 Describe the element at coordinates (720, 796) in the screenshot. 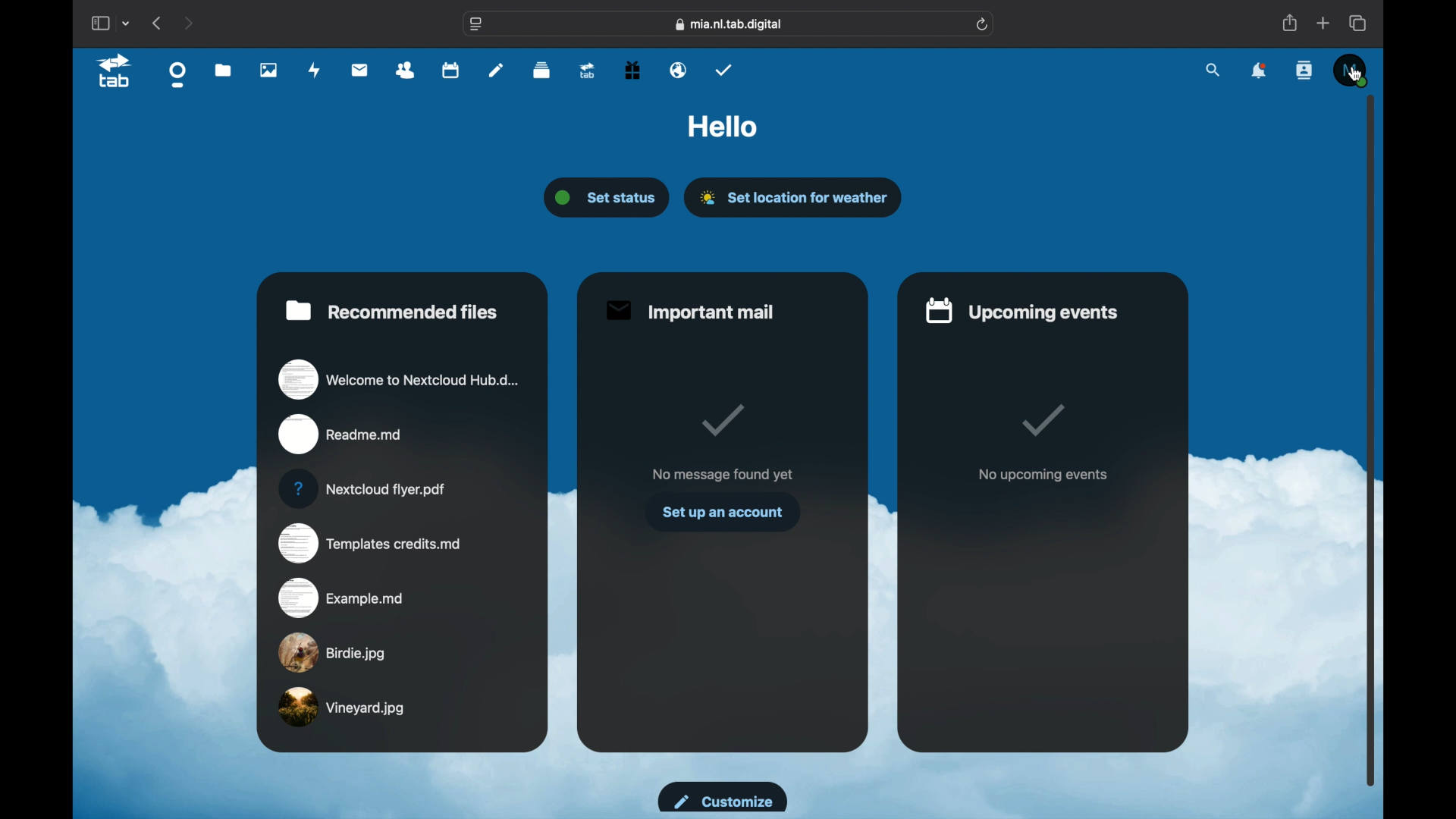

I see `customize` at that location.